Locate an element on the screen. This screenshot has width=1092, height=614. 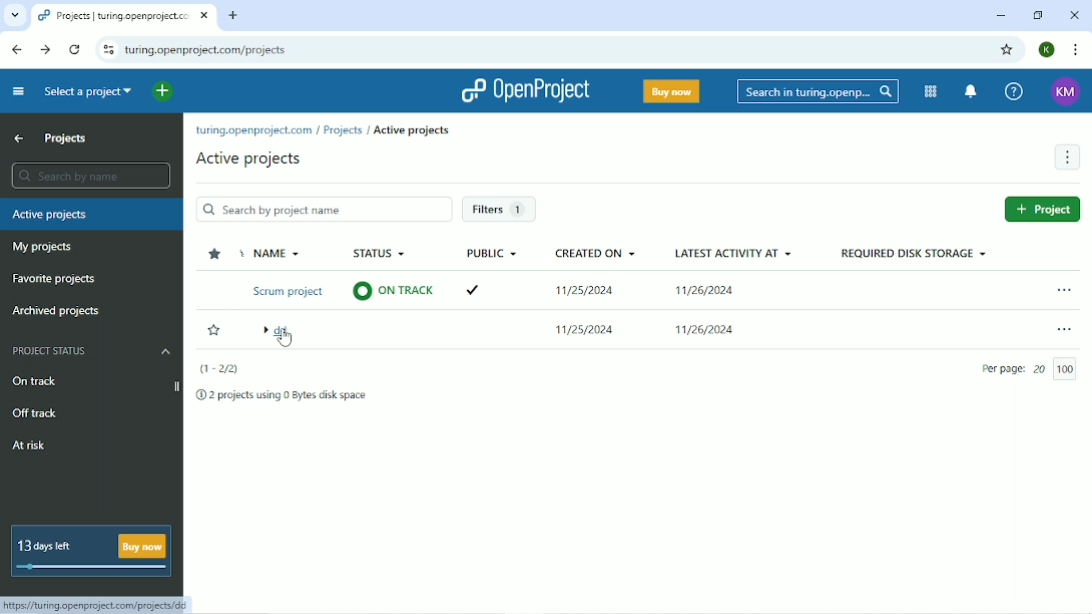
Search tabs  is located at coordinates (15, 17).